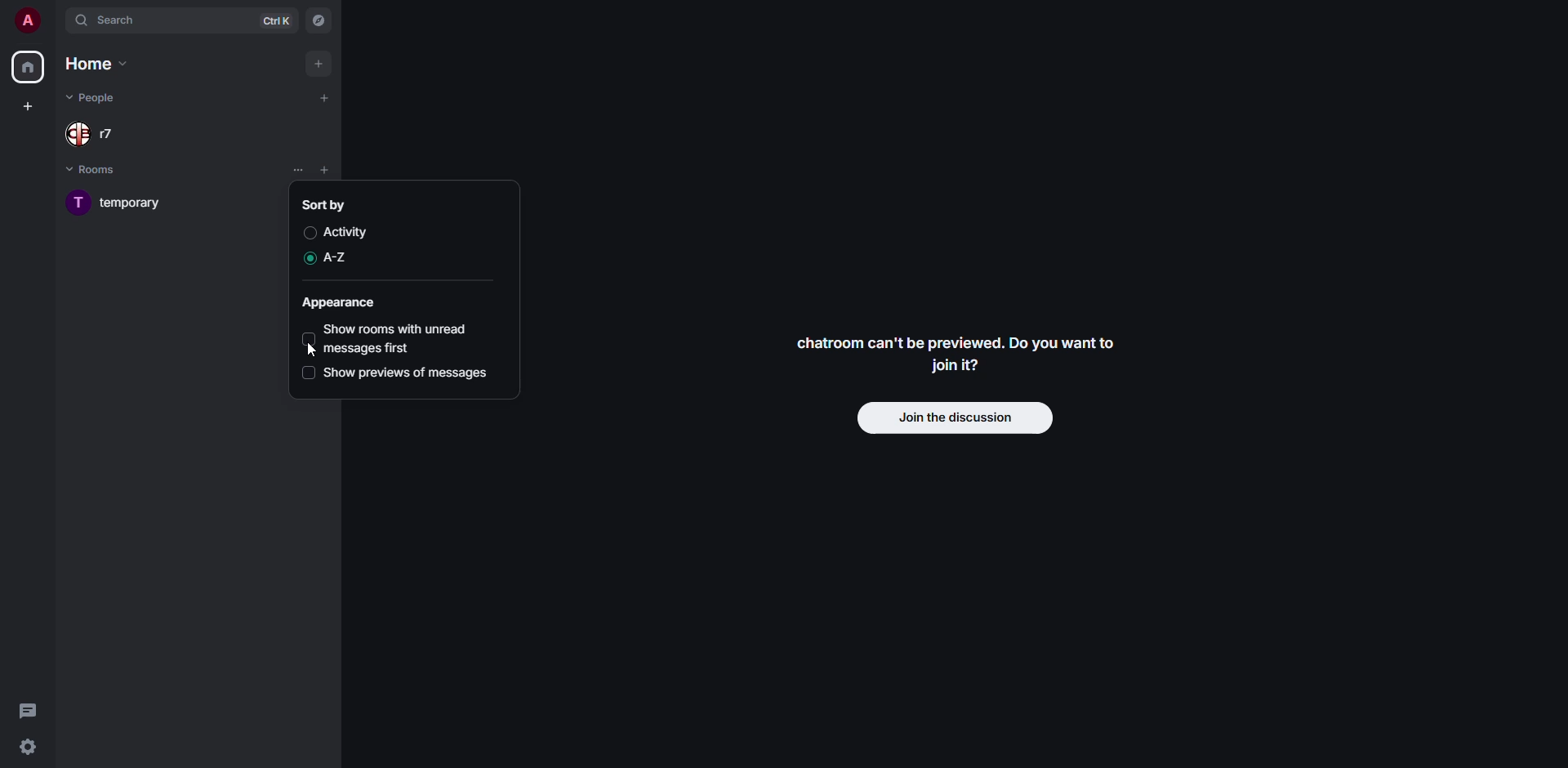  I want to click on people, so click(96, 98).